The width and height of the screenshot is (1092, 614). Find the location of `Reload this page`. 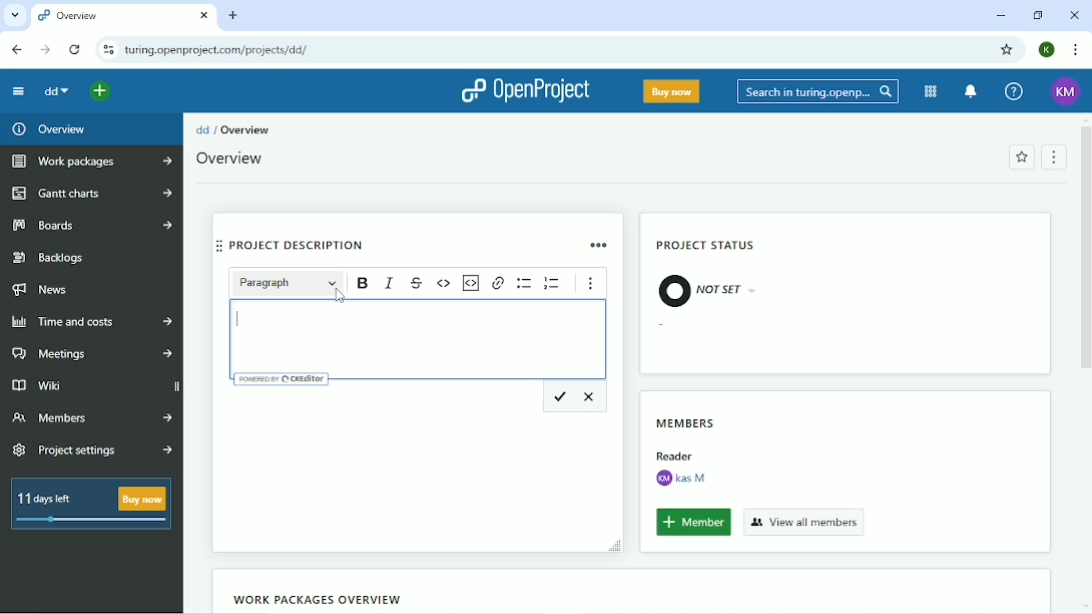

Reload this page is located at coordinates (76, 49).